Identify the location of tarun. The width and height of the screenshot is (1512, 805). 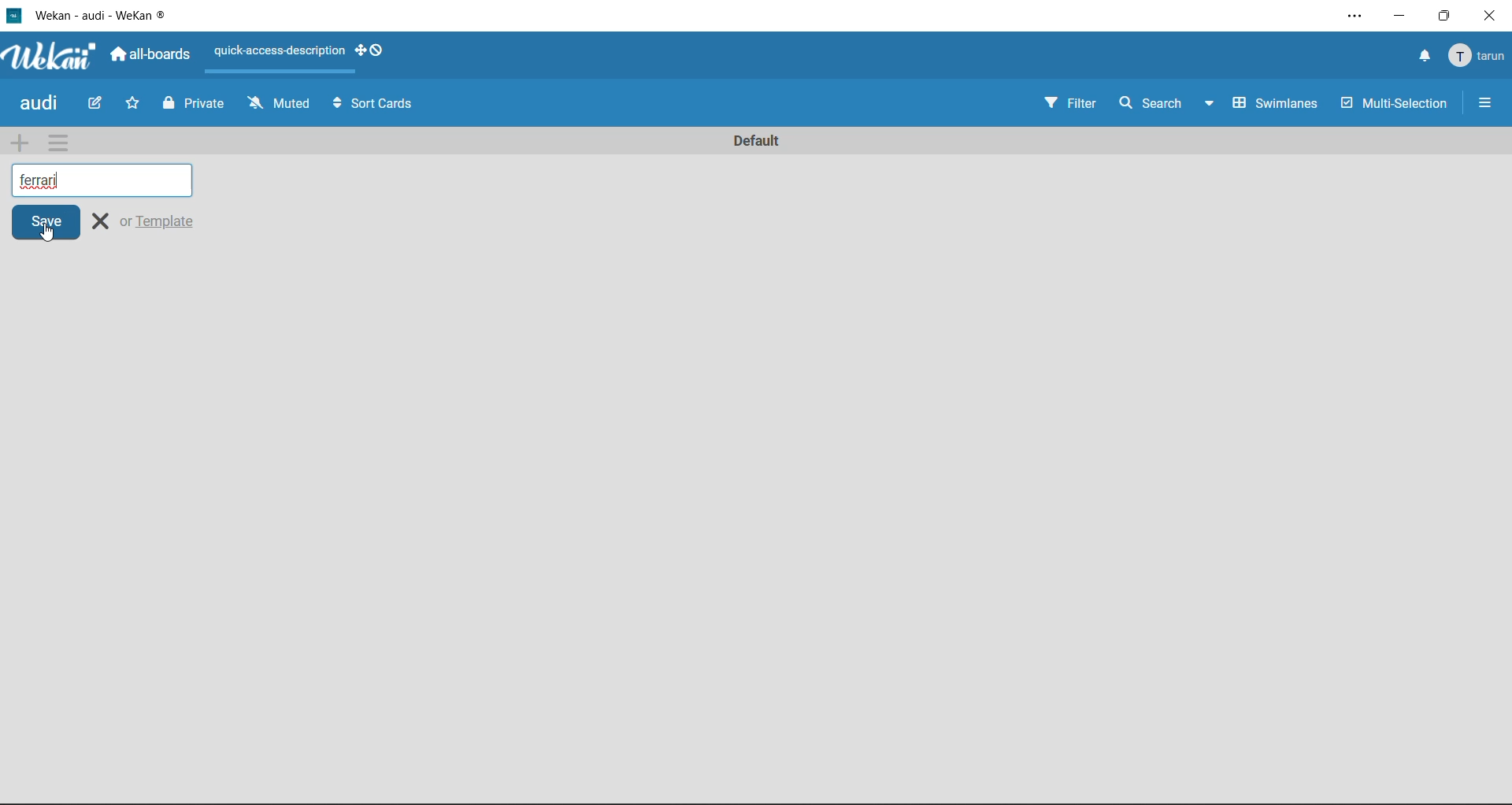
(1479, 58).